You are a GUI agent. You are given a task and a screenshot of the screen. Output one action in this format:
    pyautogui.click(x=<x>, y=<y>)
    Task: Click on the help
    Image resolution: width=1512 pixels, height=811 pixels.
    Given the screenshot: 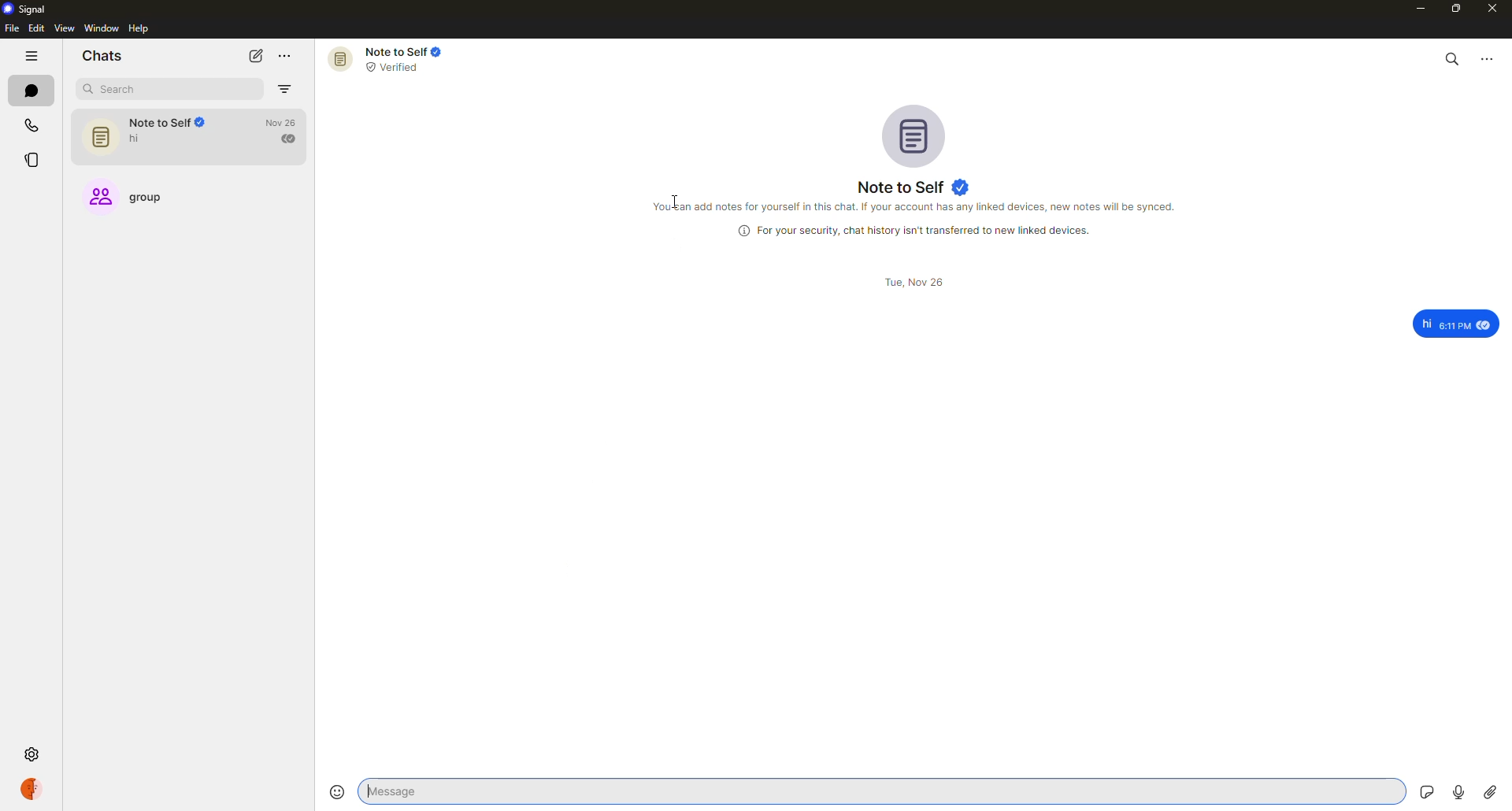 What is the action you would take?
    pyautogui.click(x=139, y=29)
    